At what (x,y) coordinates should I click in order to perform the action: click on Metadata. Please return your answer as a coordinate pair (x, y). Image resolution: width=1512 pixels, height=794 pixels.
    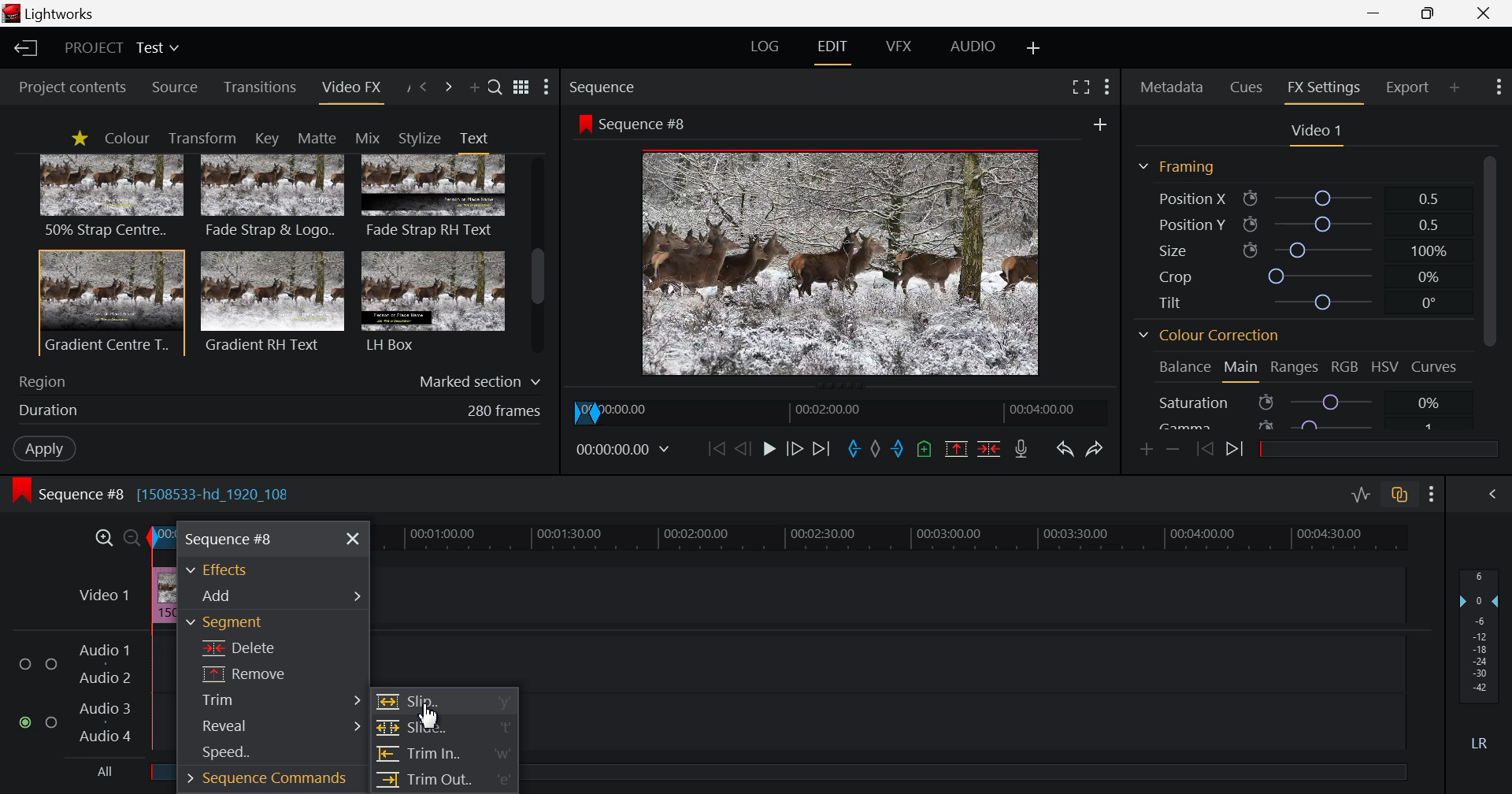
    Looking at the image, I should click on (1173, 84).